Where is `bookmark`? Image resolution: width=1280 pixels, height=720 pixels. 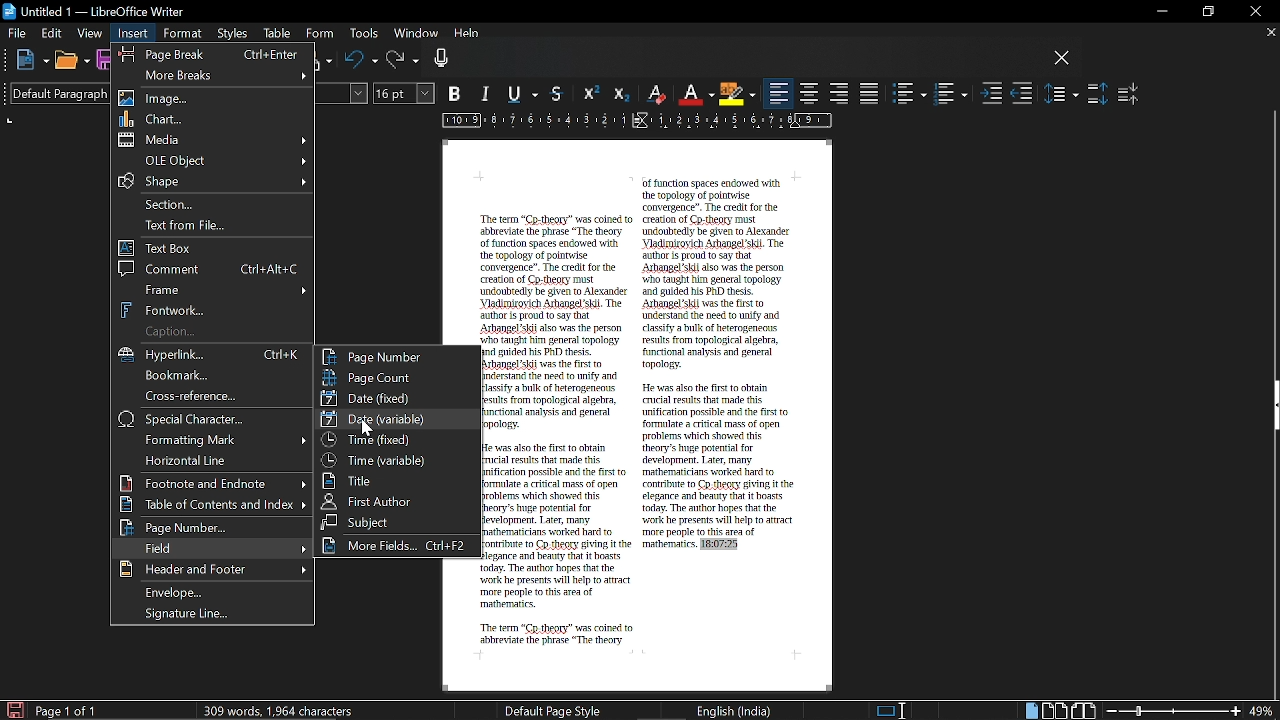 bookmark is located at coordinates (214, 376).